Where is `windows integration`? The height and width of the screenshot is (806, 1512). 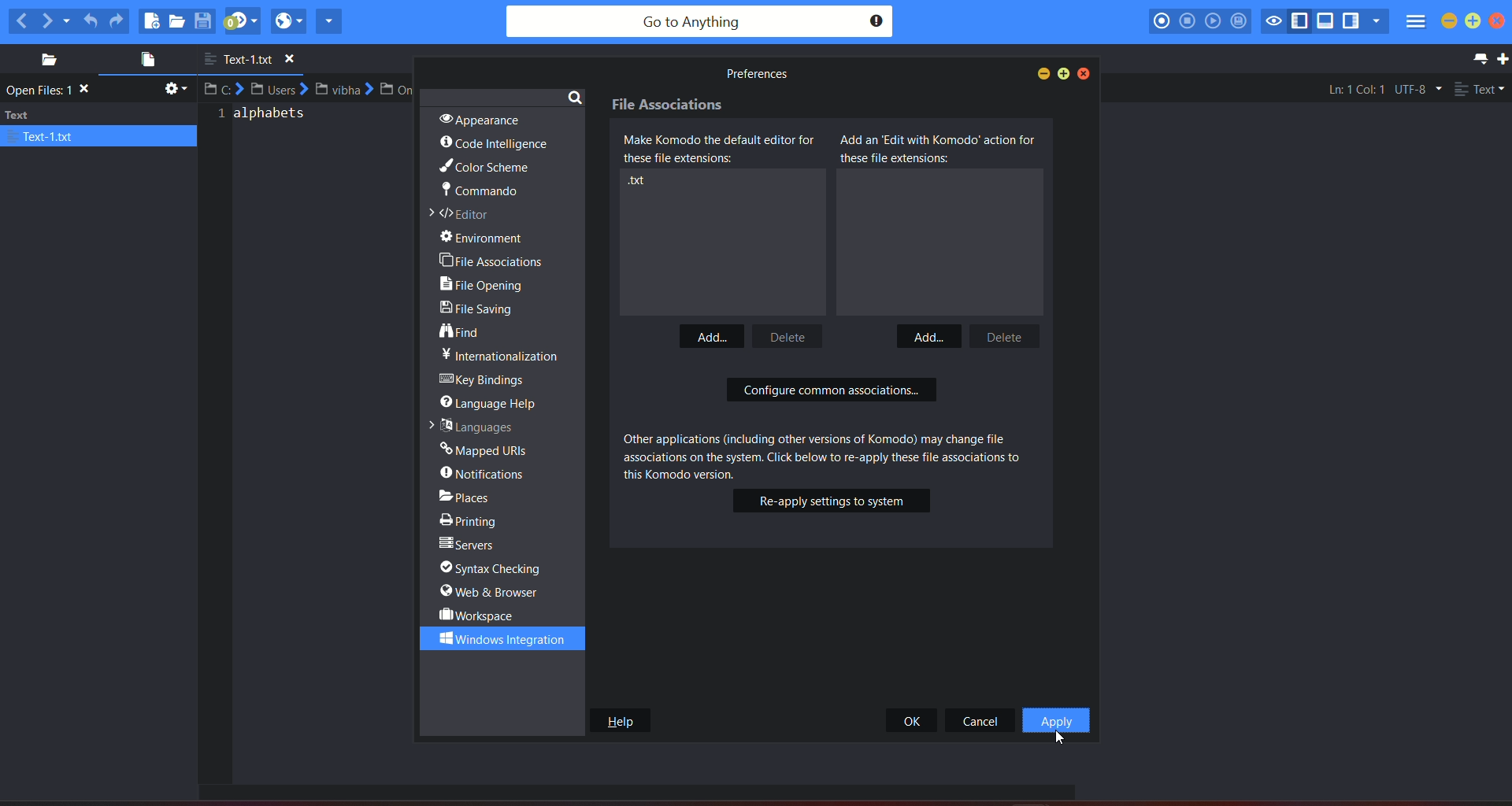
windows integration is located at coordinates (495, 638).